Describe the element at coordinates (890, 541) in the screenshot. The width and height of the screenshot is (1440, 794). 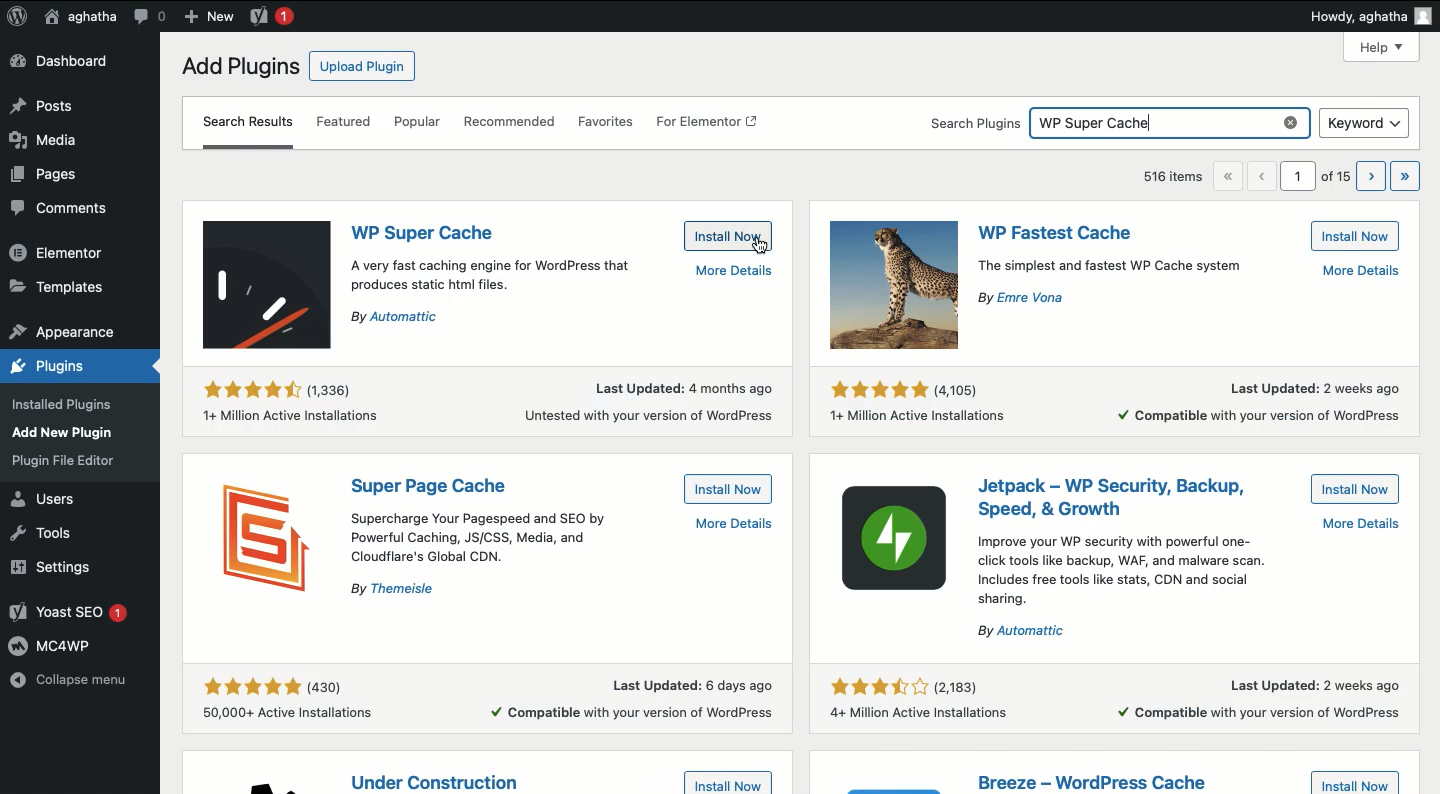
I see `Icon` at that location.